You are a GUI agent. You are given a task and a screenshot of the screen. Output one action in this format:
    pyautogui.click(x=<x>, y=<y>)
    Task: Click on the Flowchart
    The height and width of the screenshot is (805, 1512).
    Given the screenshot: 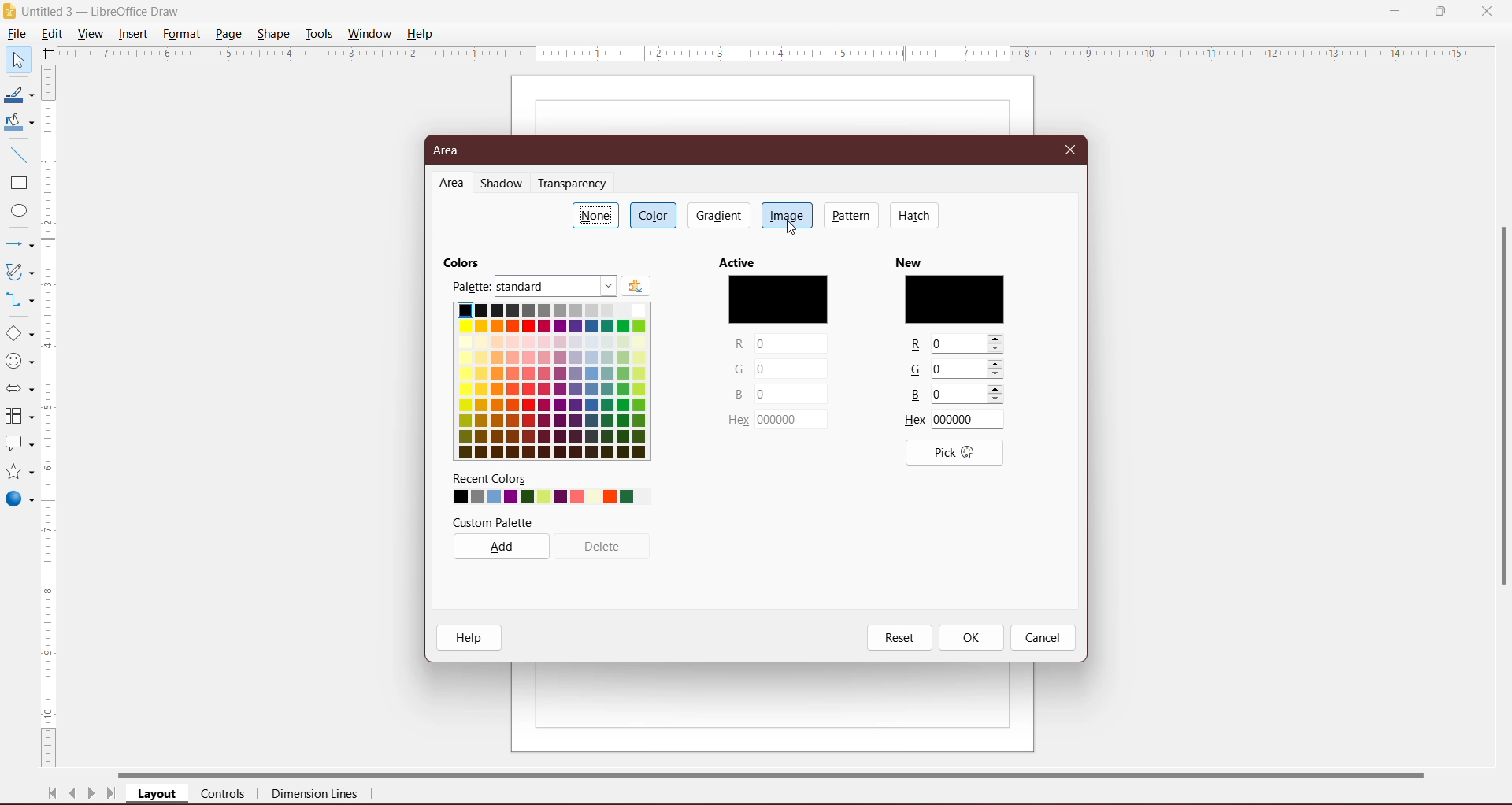 What is the action you would take?
    pyautogui.click(x=19, y=417)
    